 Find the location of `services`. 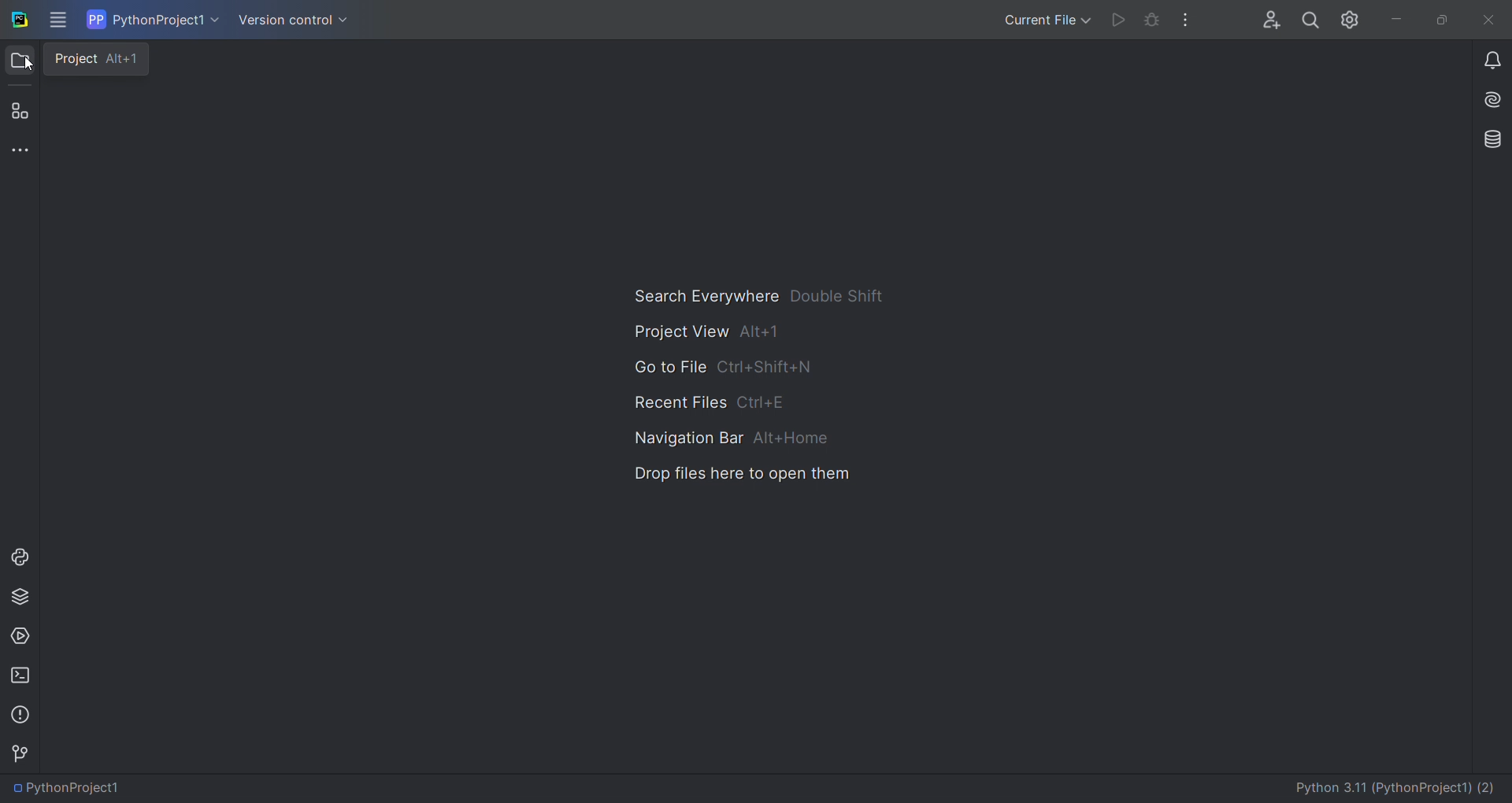

services is located at coordinates (22, 637).